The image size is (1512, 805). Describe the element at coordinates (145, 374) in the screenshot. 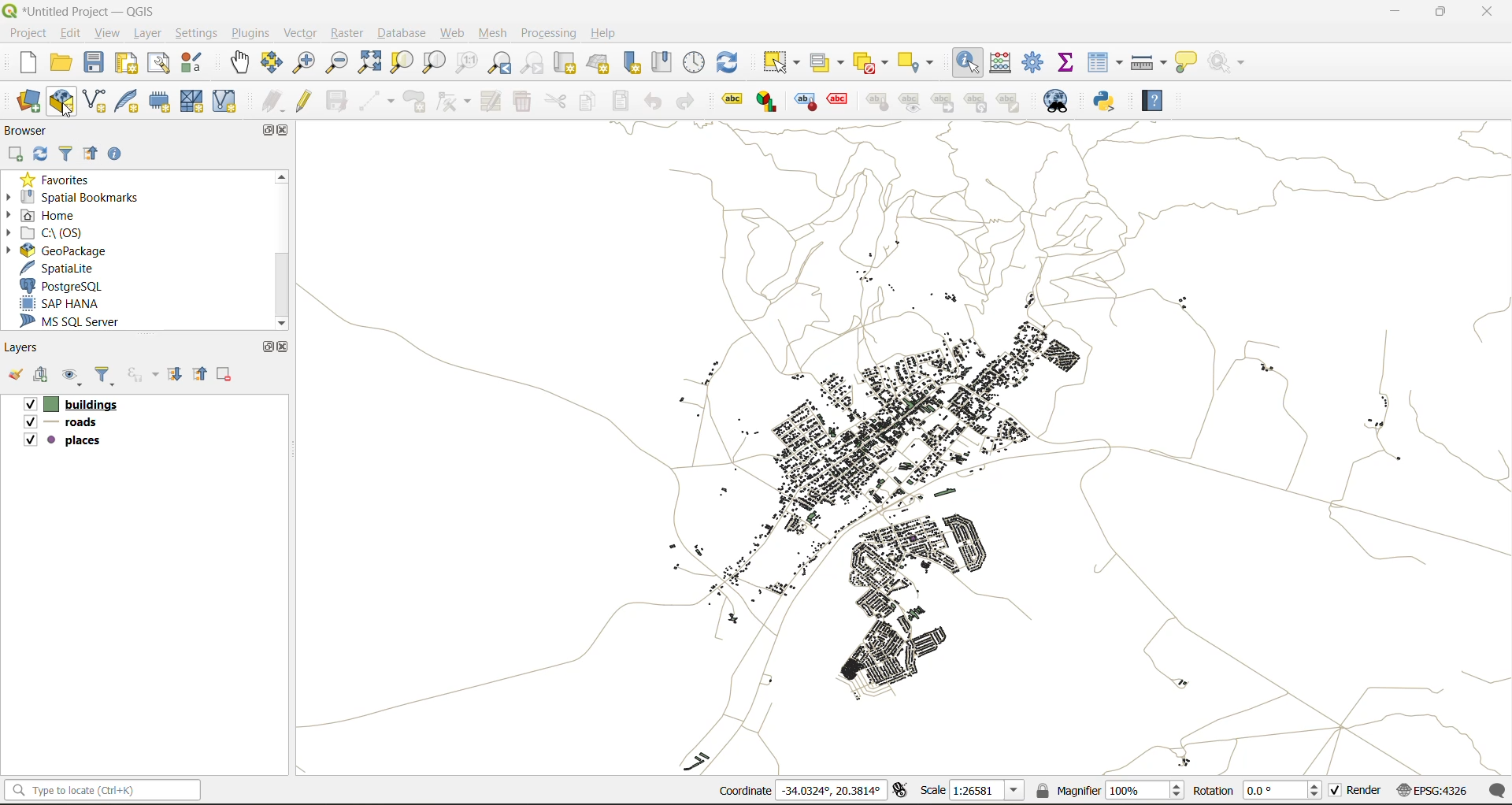

I see `filter by expression` at that location.